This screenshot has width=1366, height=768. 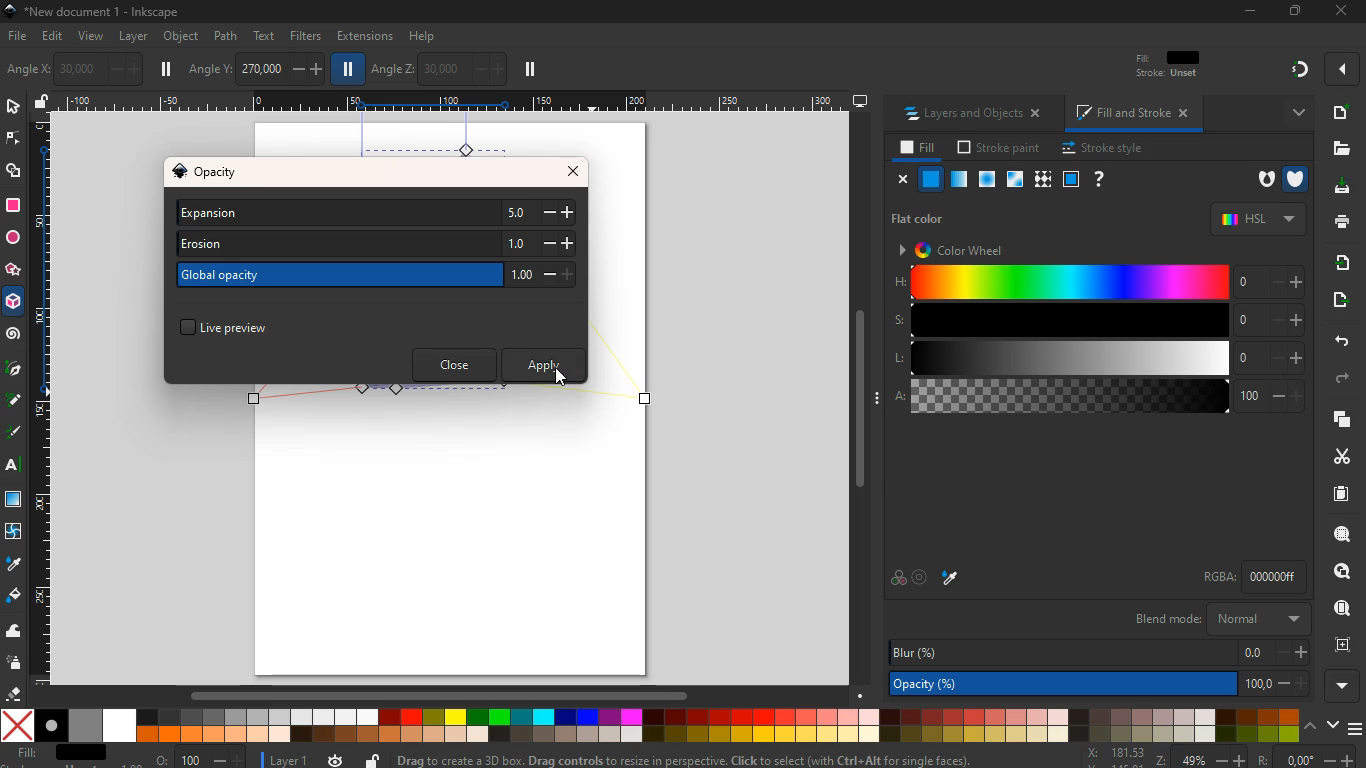 What do you see at coordinates (879, 397) in the screenshot?
I see `Expand` at bounding box center [879, 397].